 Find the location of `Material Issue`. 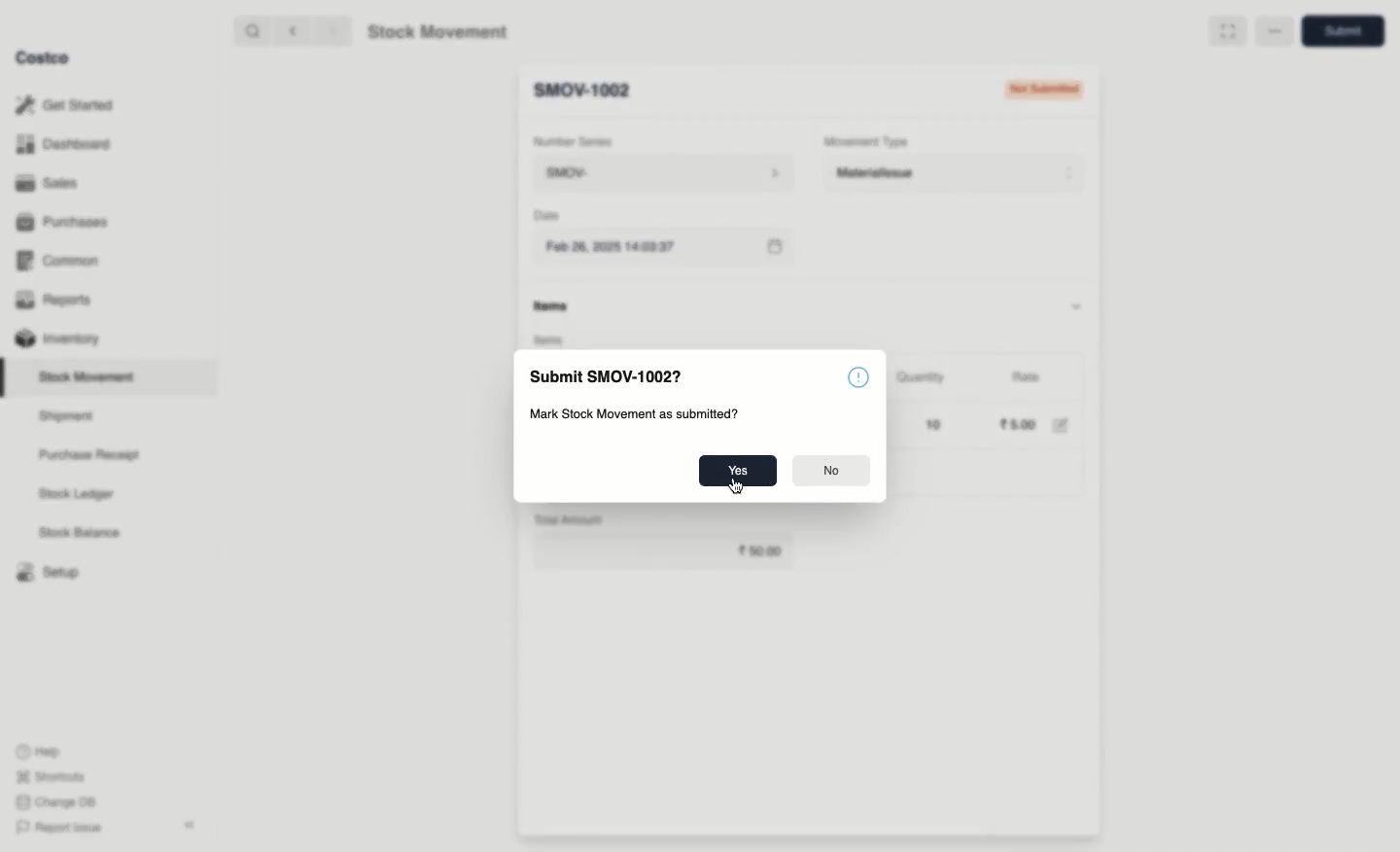

Material Issue is located at coordinates (957, 174).